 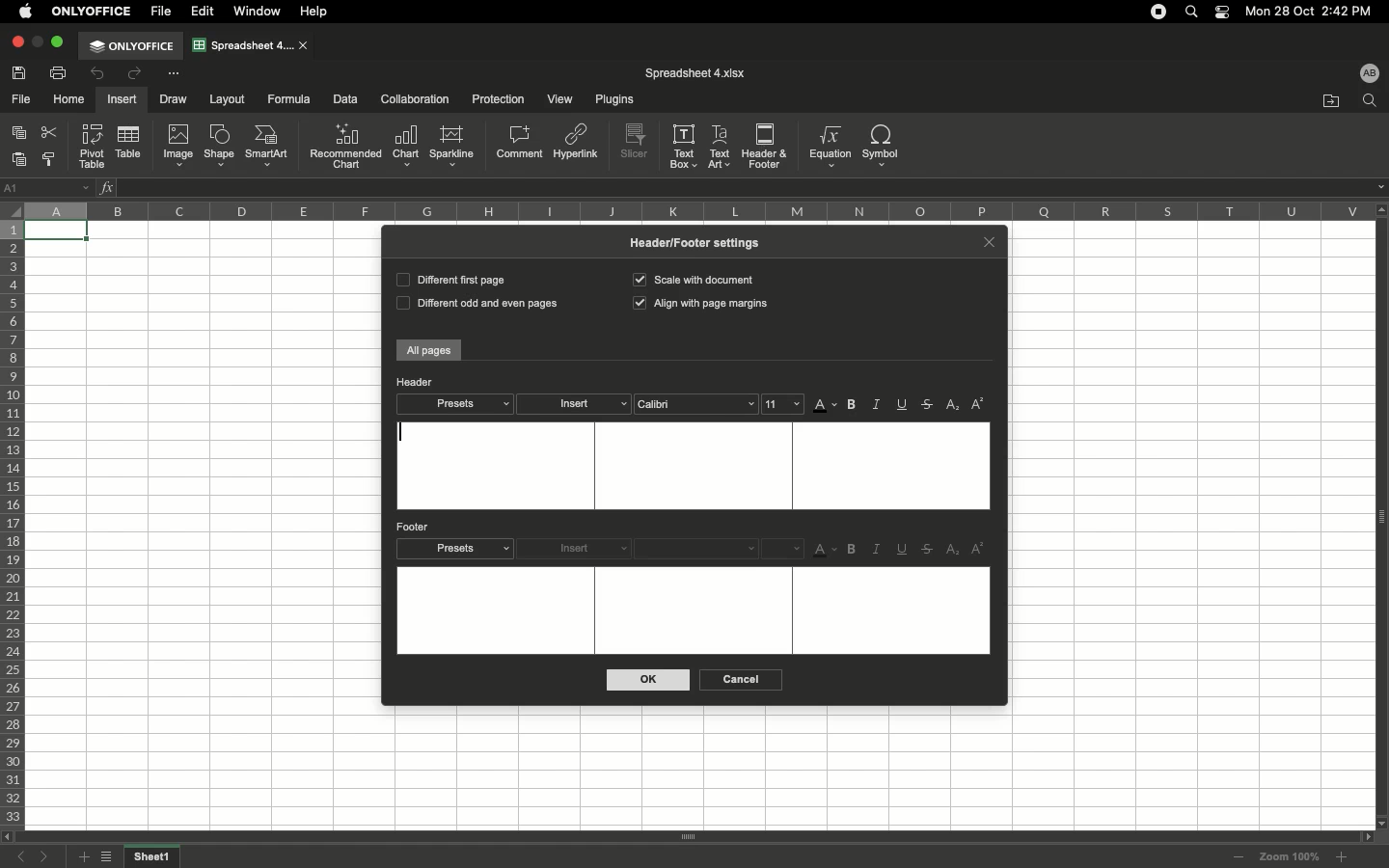 I want to click on Selected cell, so click(x=58, y=232).